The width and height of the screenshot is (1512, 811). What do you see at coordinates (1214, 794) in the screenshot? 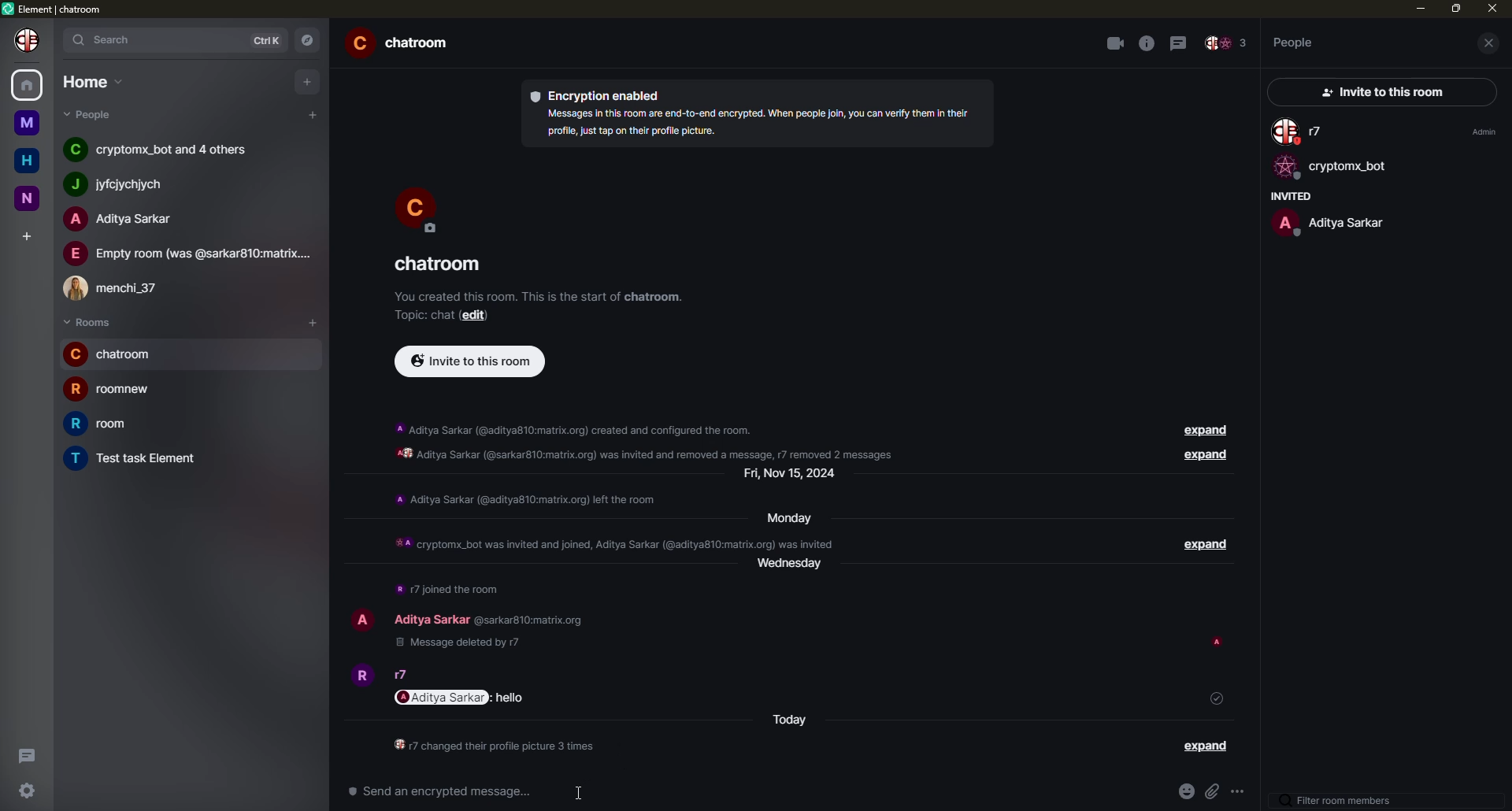
I see `attach` at bounding box center [1214, 794].